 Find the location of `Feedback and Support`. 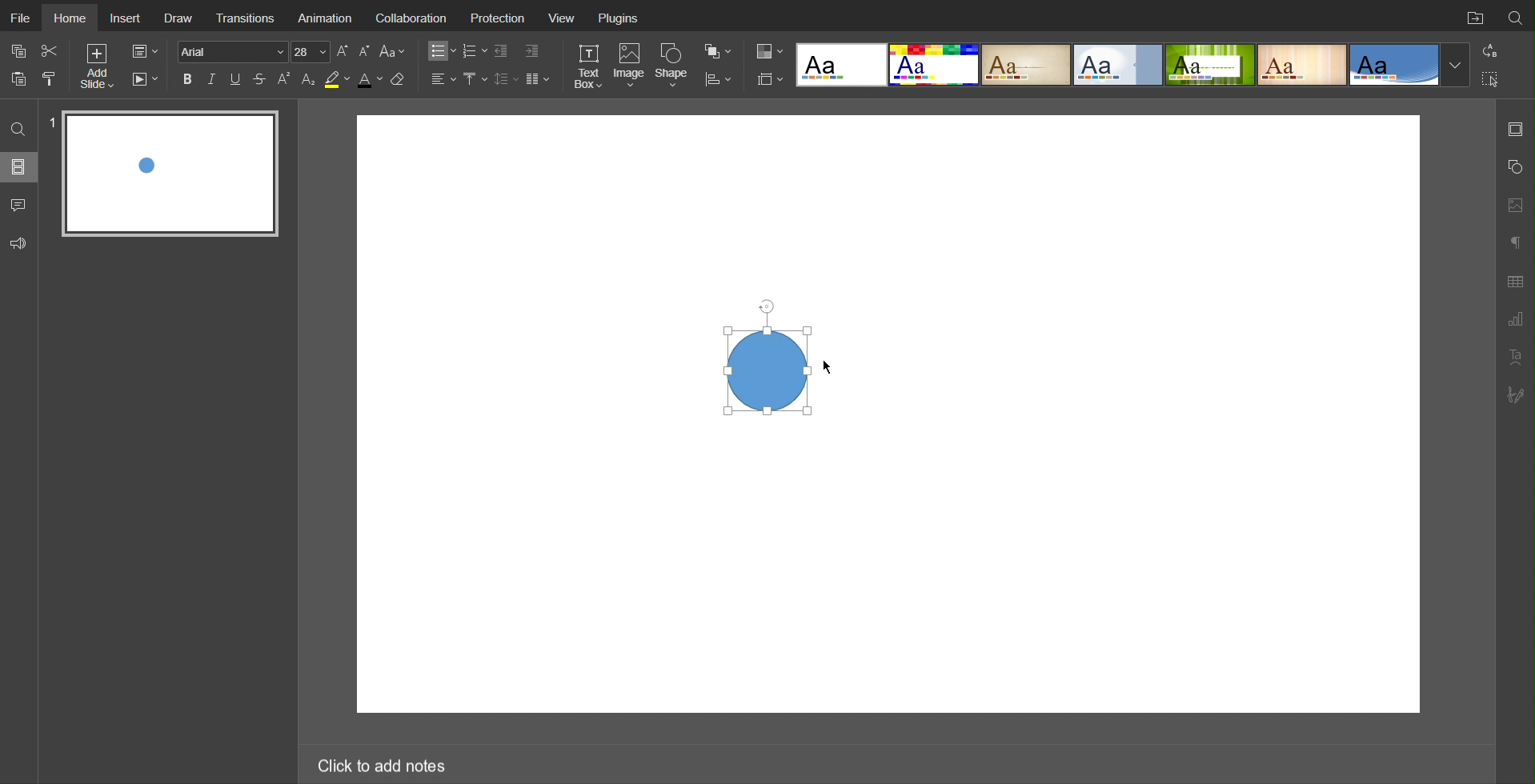

Feedback and Support is located at coordinates (18, 244).